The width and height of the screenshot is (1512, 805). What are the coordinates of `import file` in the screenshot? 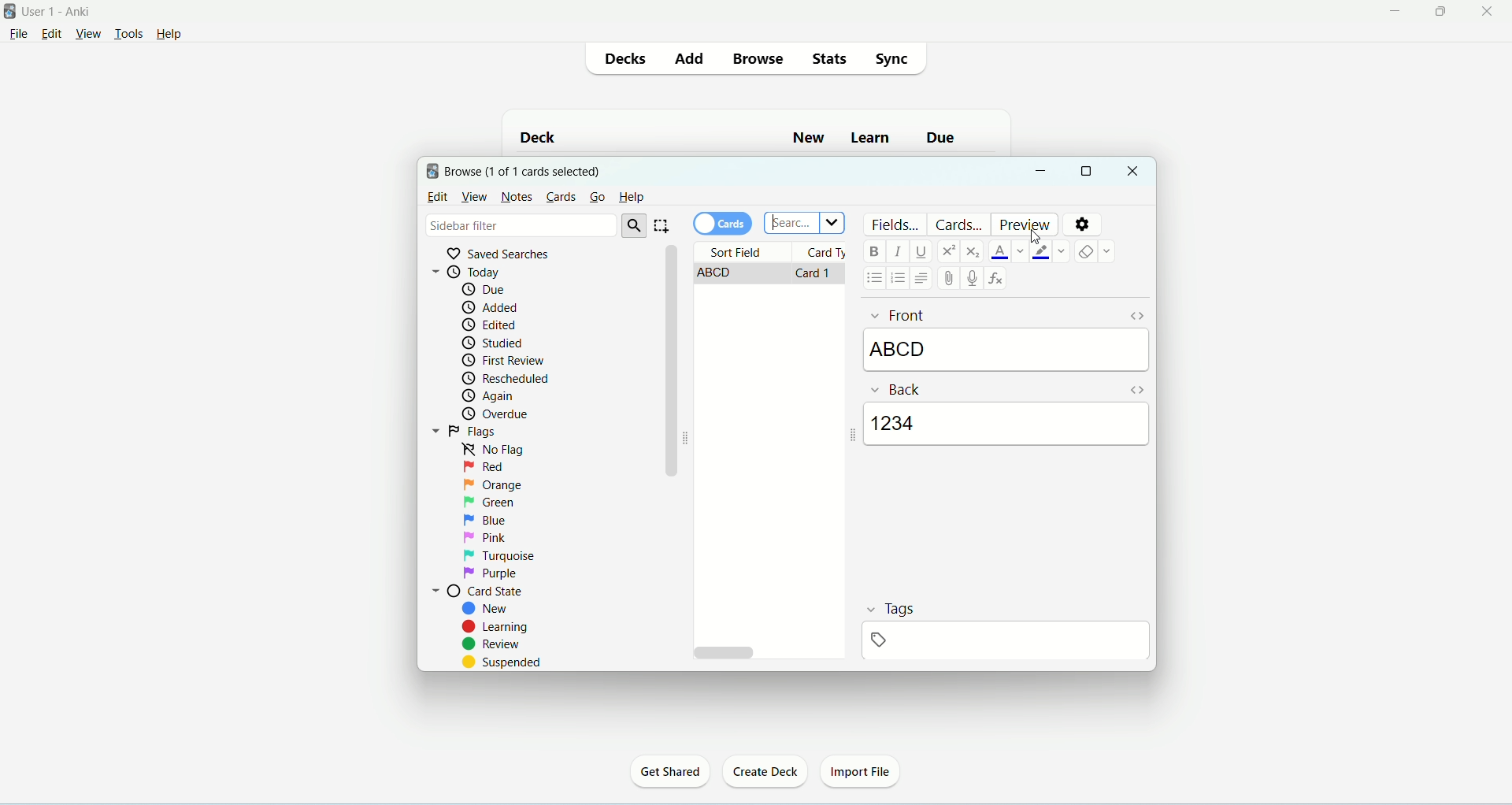 It's located at (862, 774).